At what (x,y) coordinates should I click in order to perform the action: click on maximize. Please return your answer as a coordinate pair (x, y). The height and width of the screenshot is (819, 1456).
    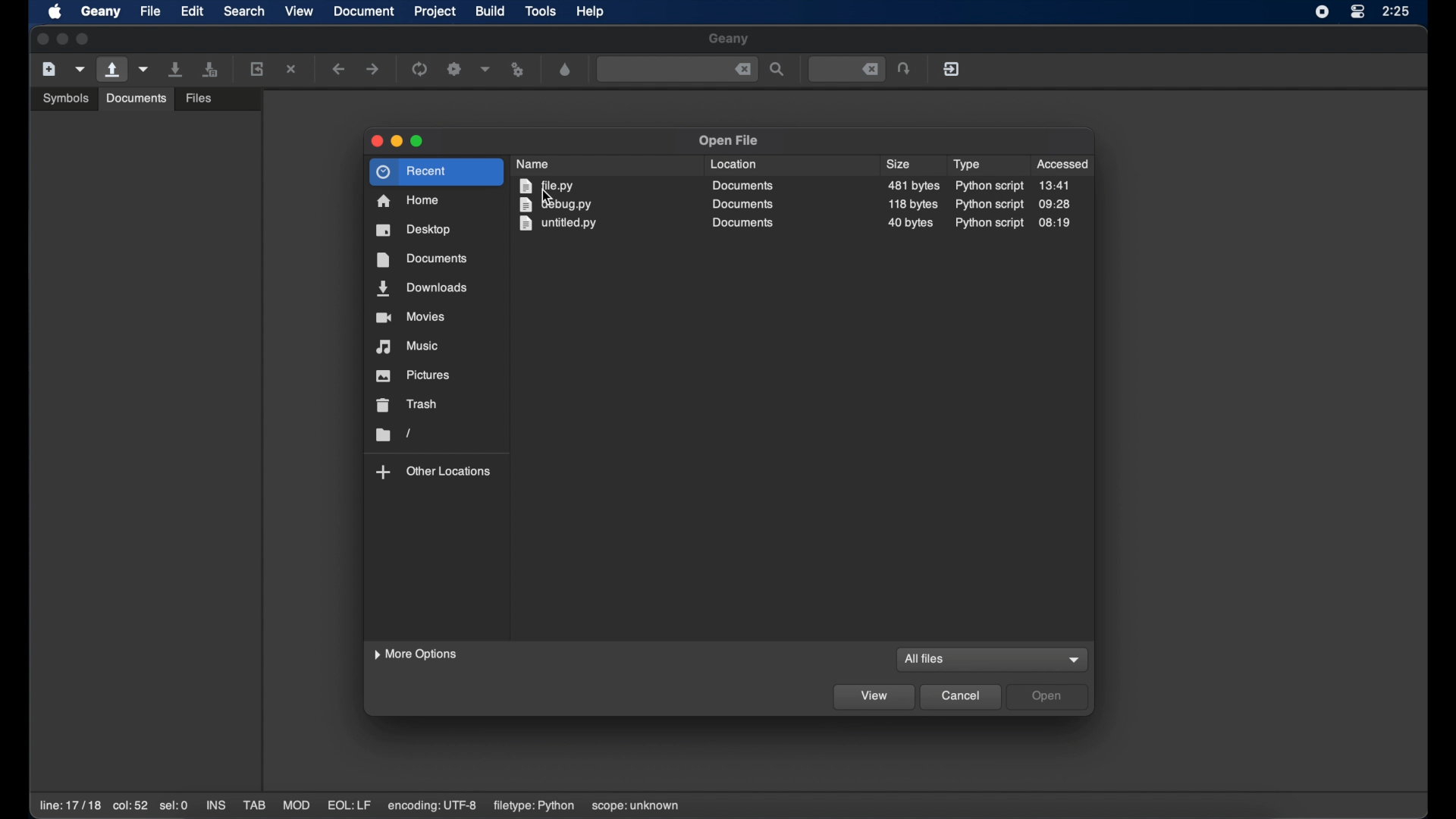
    Looking at the image, I should click on (419, 142).